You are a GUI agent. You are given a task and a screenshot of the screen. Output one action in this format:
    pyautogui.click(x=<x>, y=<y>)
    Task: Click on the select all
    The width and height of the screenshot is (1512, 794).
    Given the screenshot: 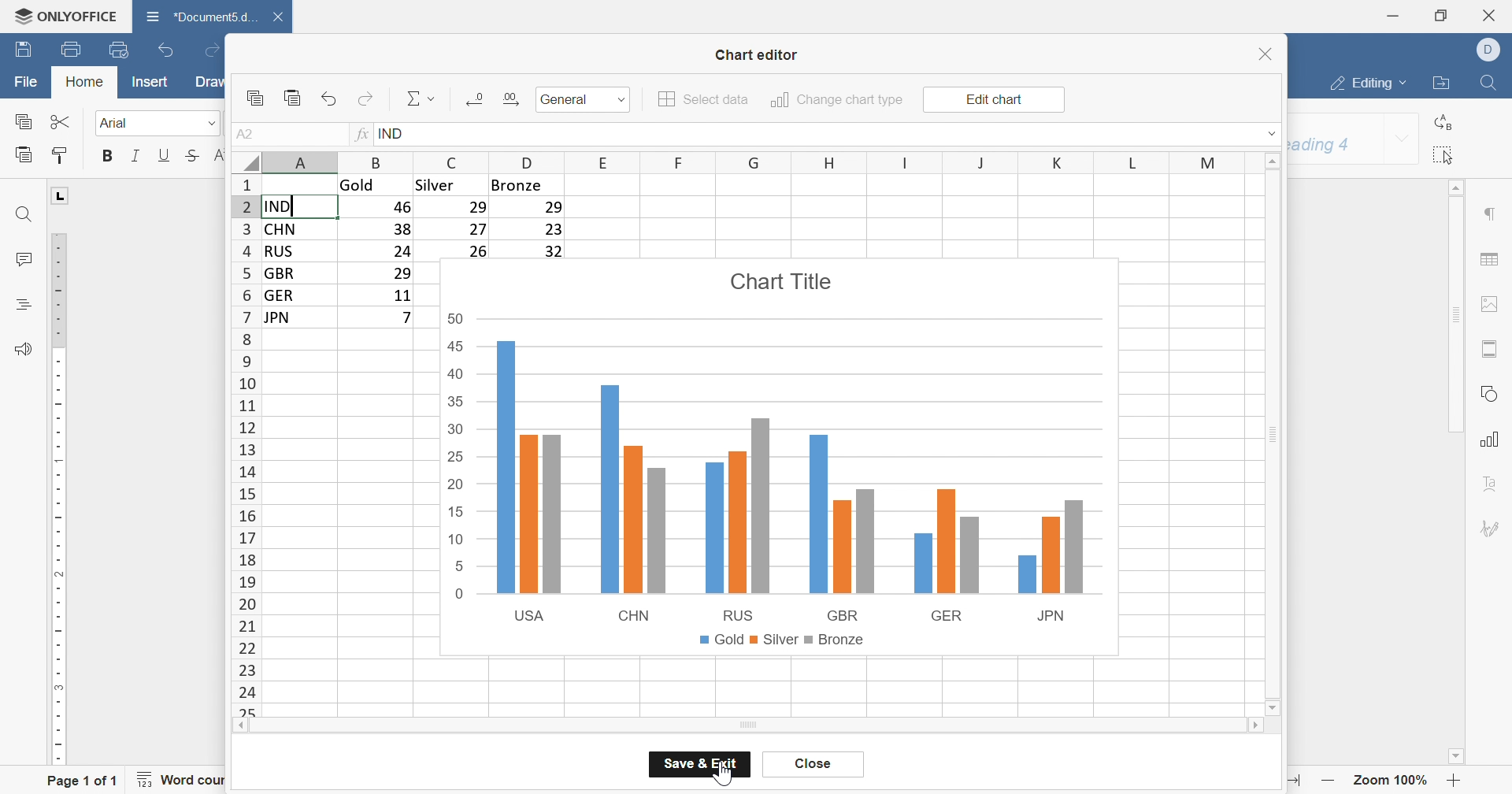 What is the action you would take?
    pyautogui.click(x=1446, y=155)
    